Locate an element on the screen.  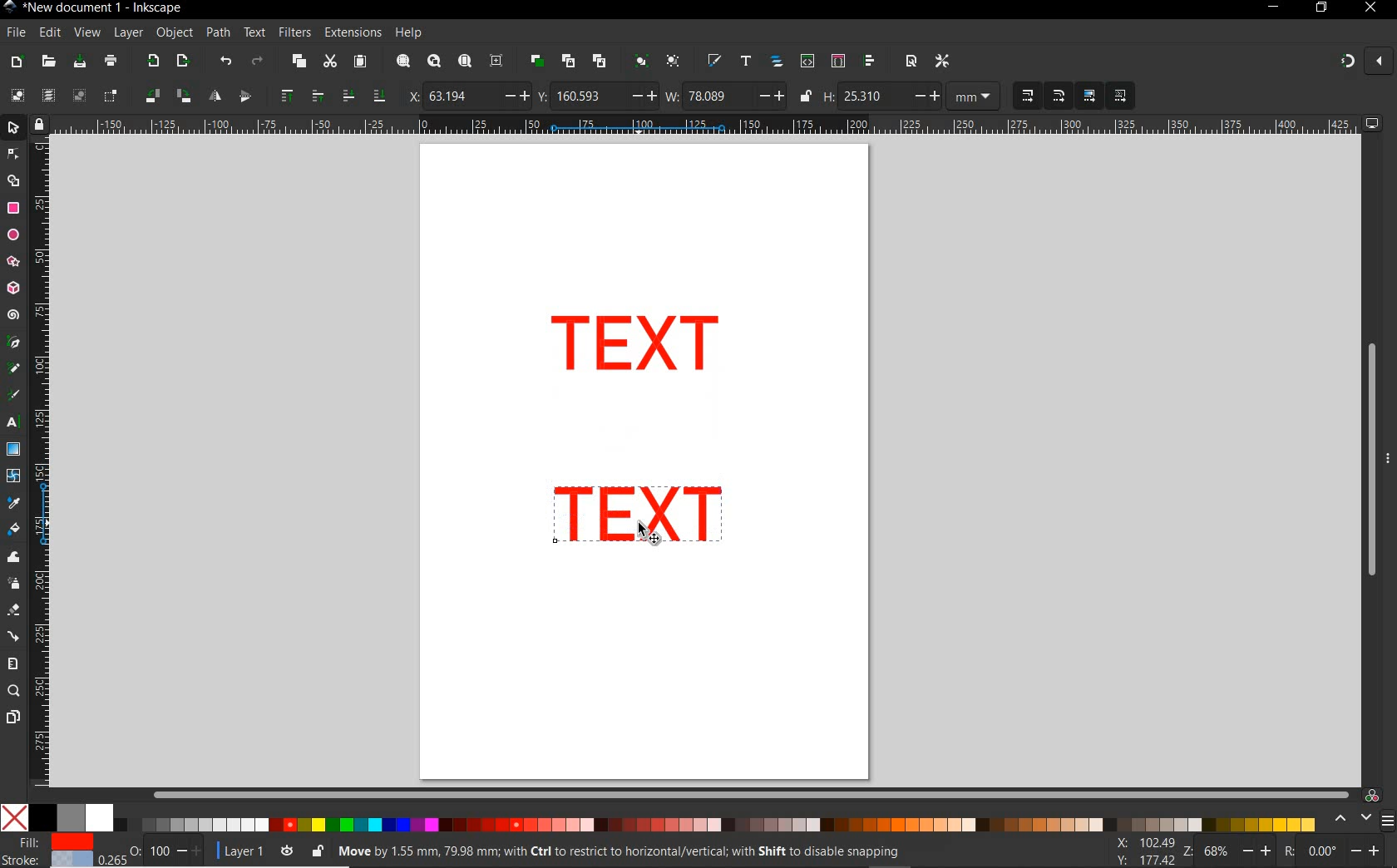
rotation is located at coordinates (1334, 850).